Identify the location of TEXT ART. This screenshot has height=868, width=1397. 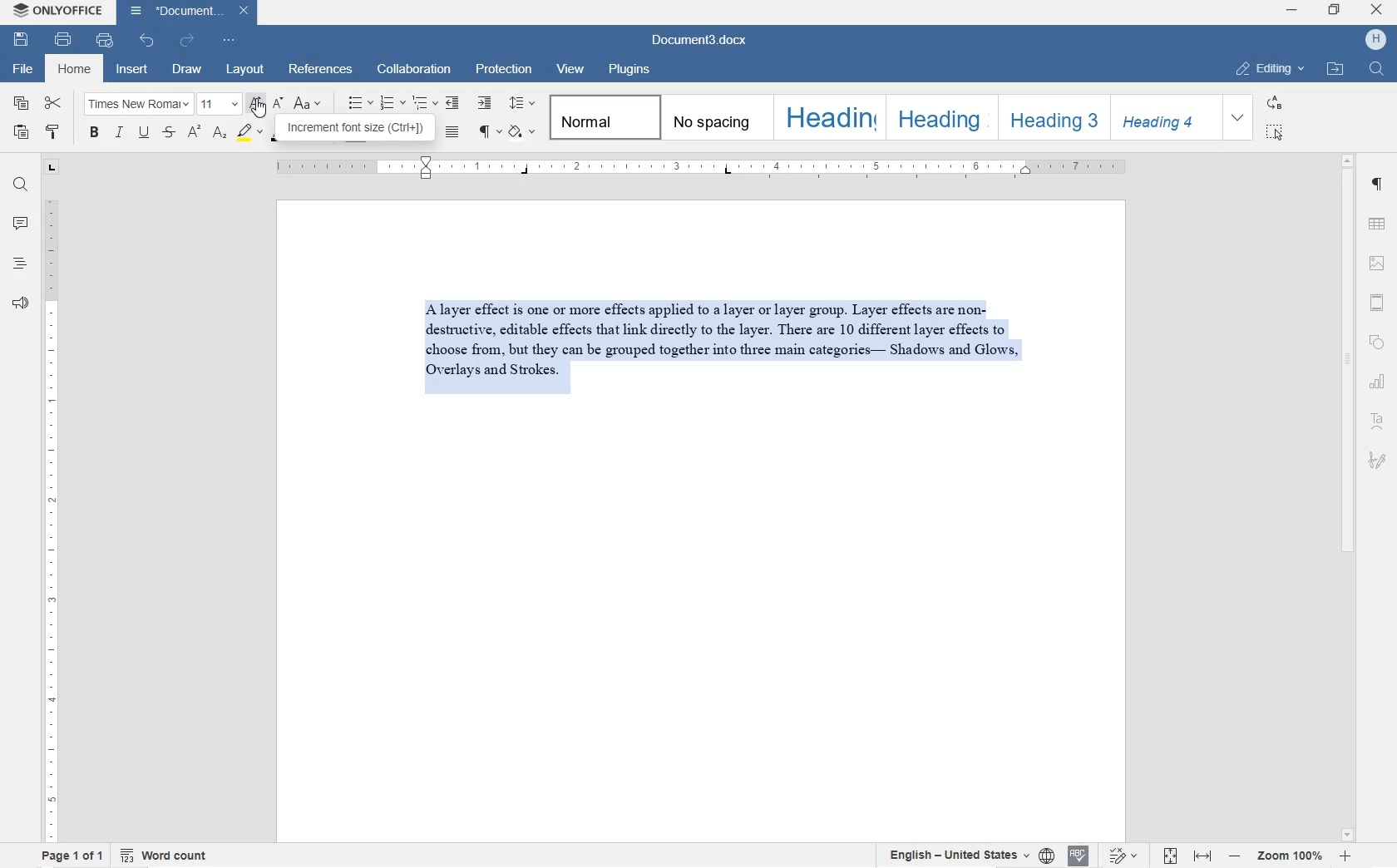
(1378, 419).